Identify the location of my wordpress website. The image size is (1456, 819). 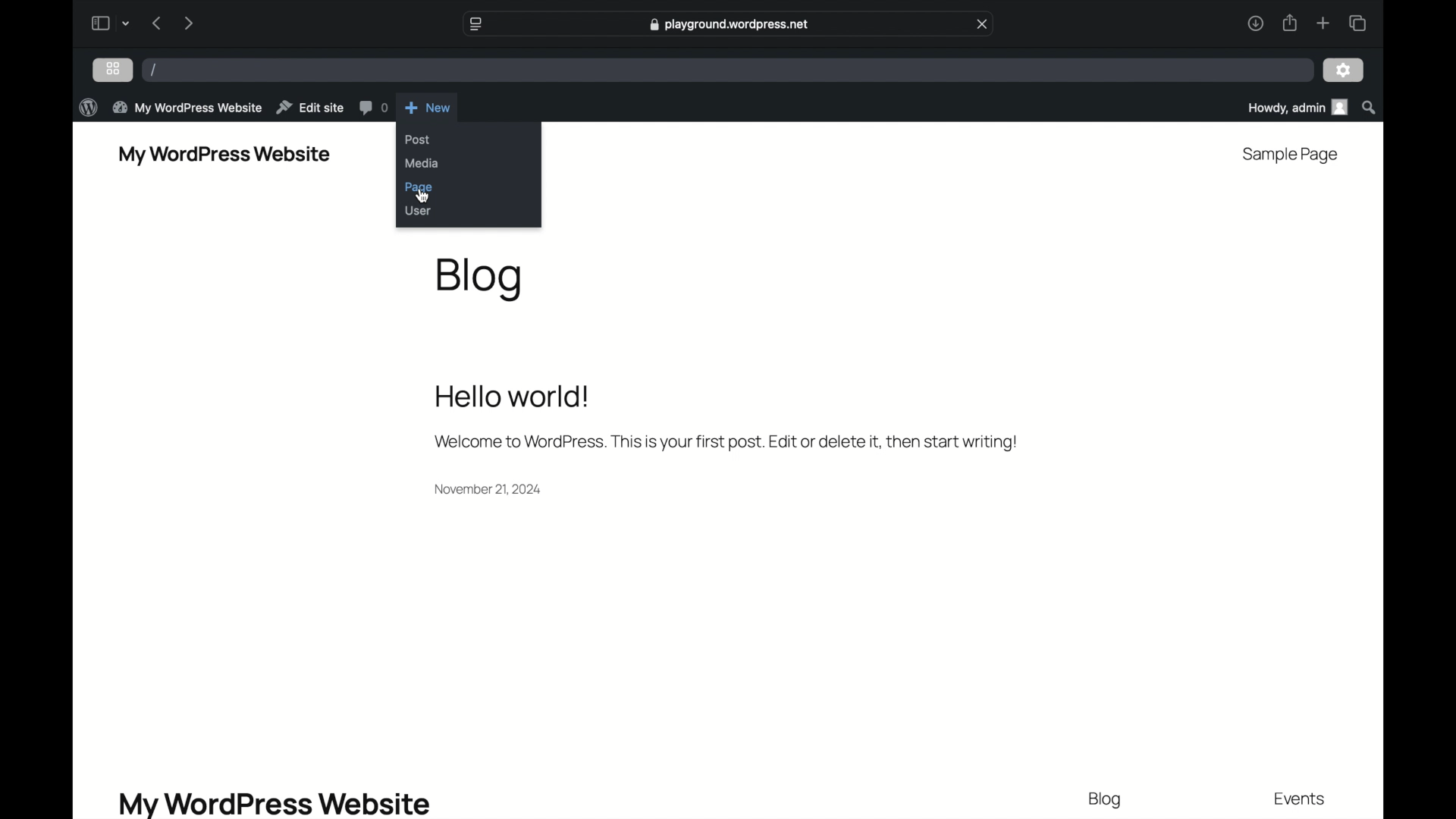
(276, 803).